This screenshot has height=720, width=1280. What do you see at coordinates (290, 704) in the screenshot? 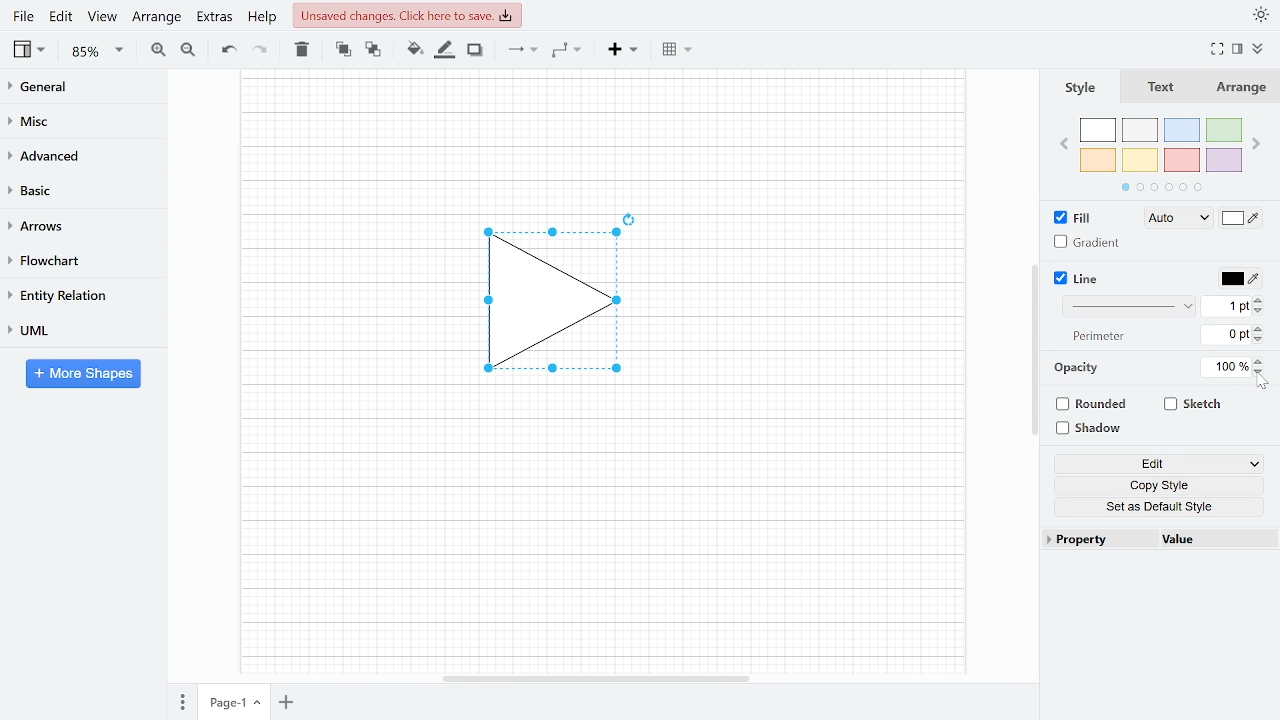
I see `Add page` at bounding box center [290, 704].